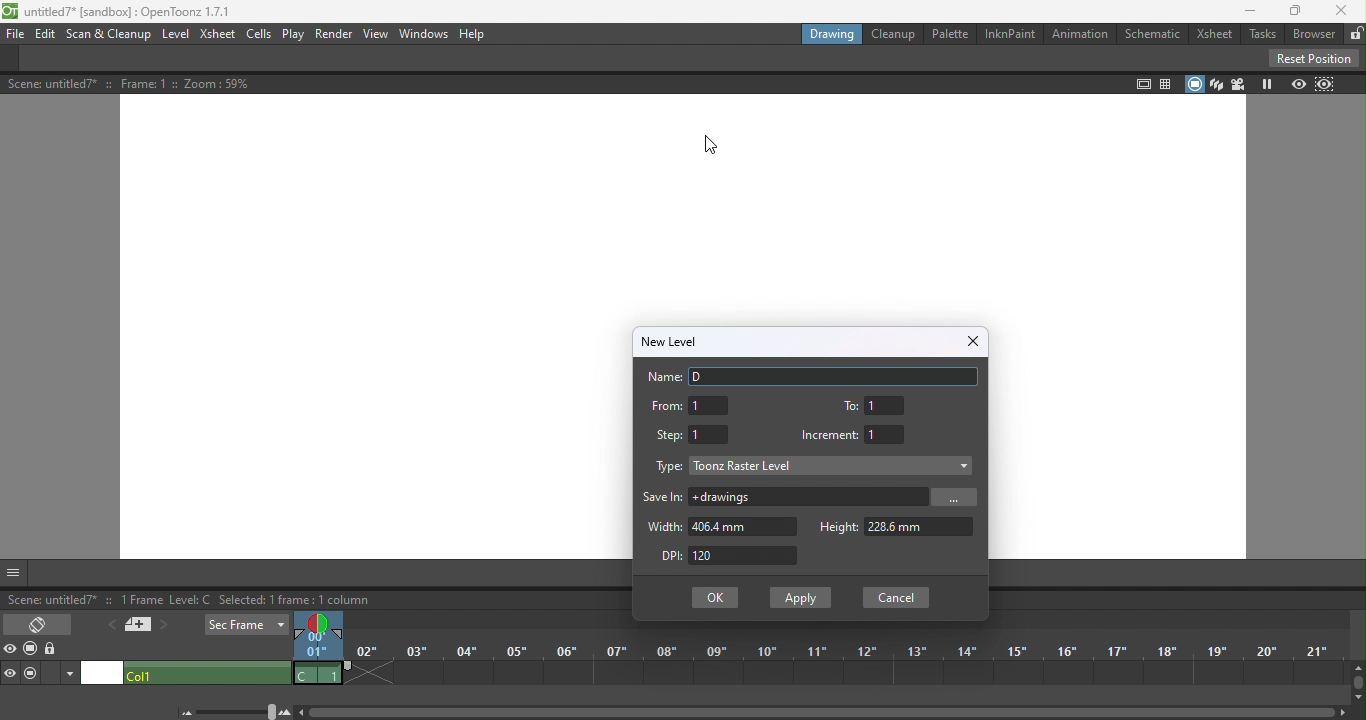  I want to click on Field guide, so click(1168, 82).